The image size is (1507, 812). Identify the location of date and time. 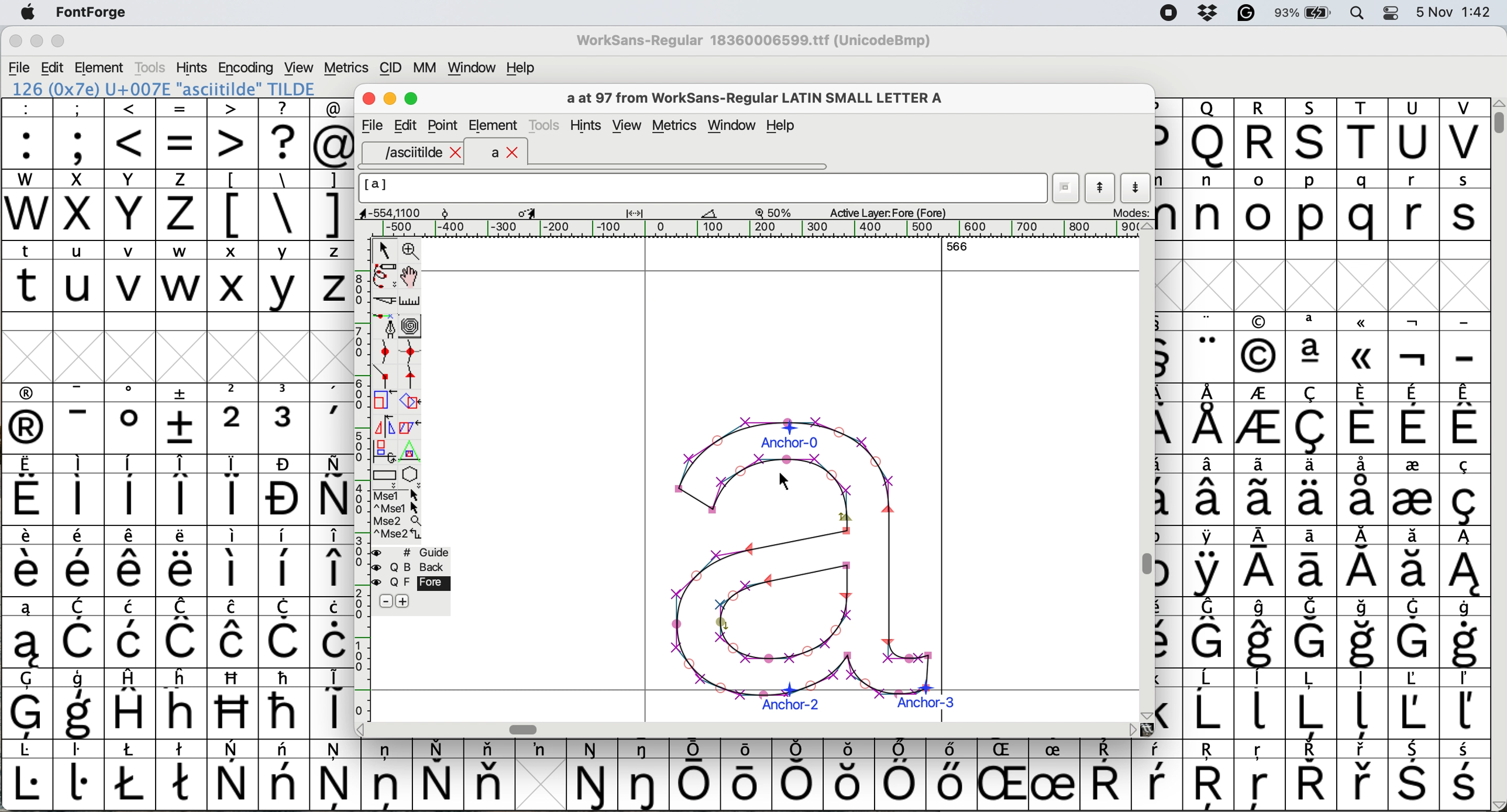
(1454, 11).